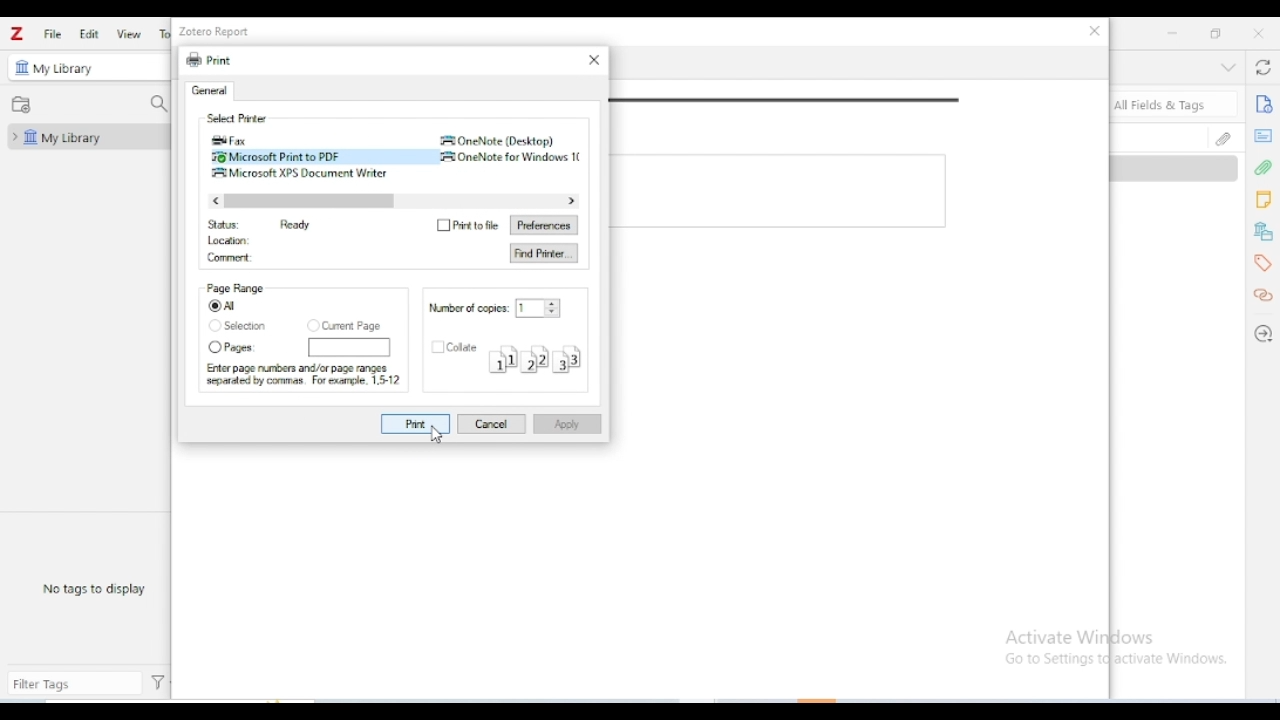  What do you see at coordinates (530, 308) in the screenshot?
I see `input number of copies` at bounding box center [530, 308].